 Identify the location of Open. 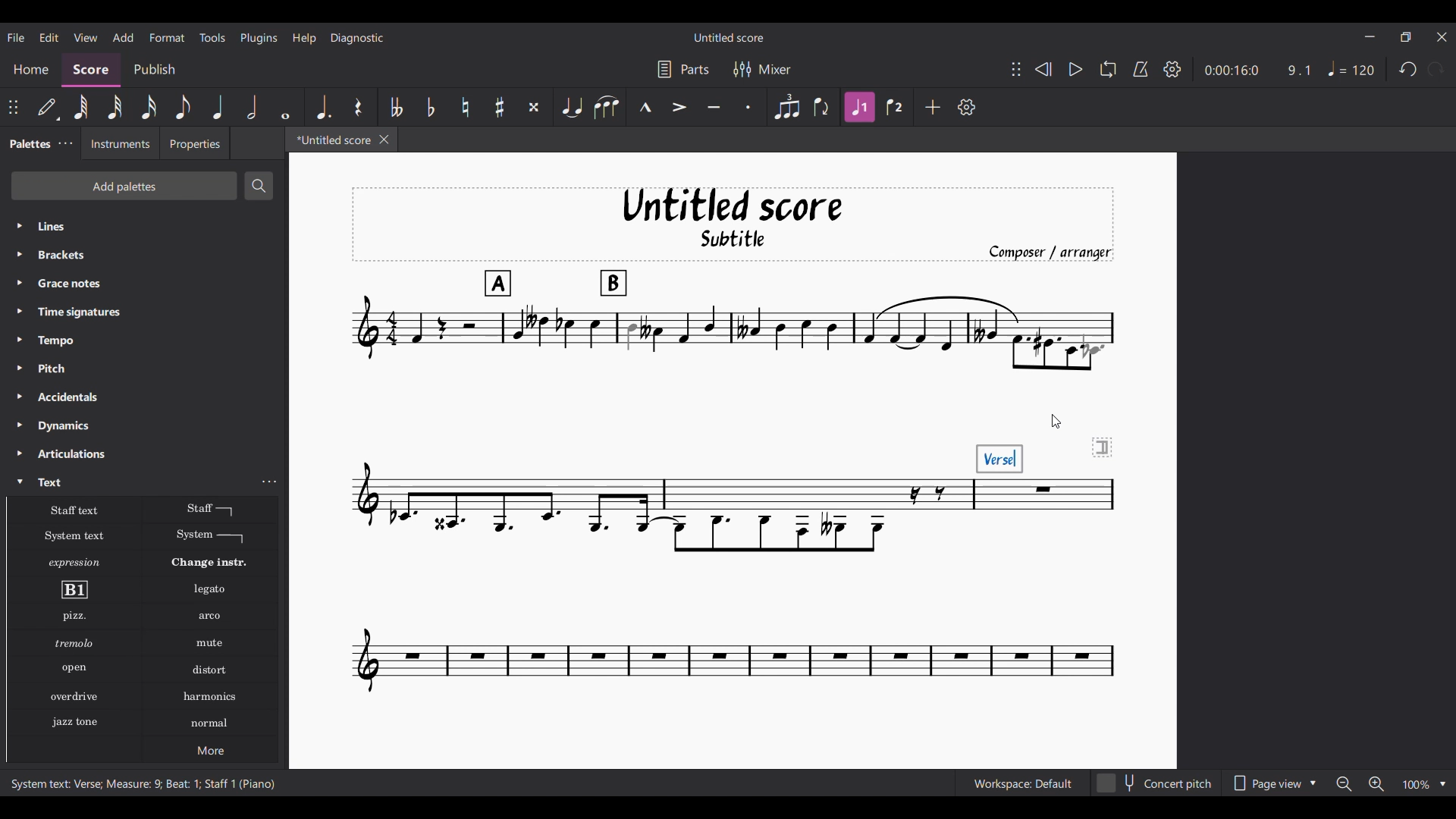
(74, 669).